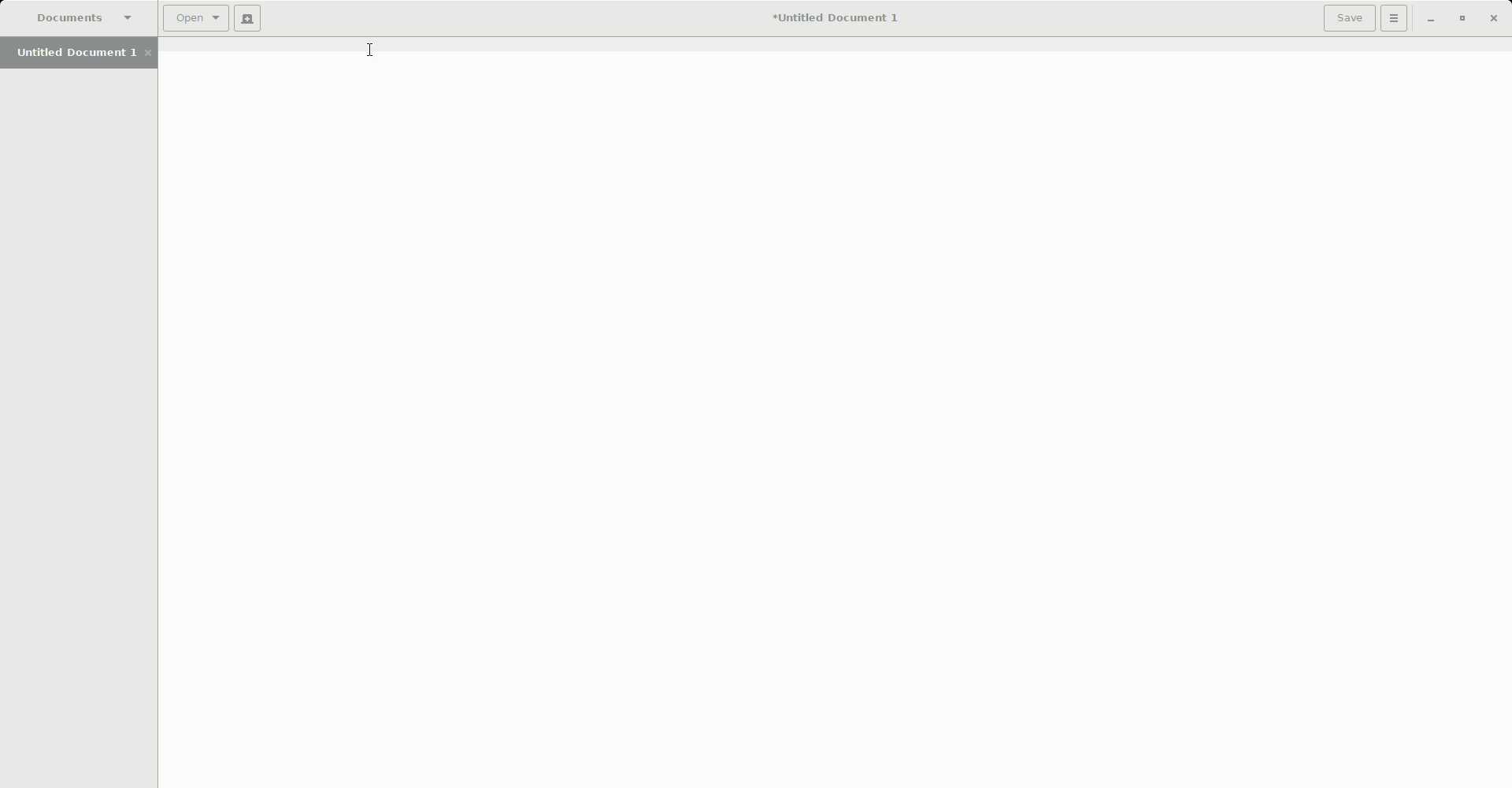  What do you see at coordinates (1348, 20) in the screenshot?
I see `Save` at bounding box center [1348, 20].